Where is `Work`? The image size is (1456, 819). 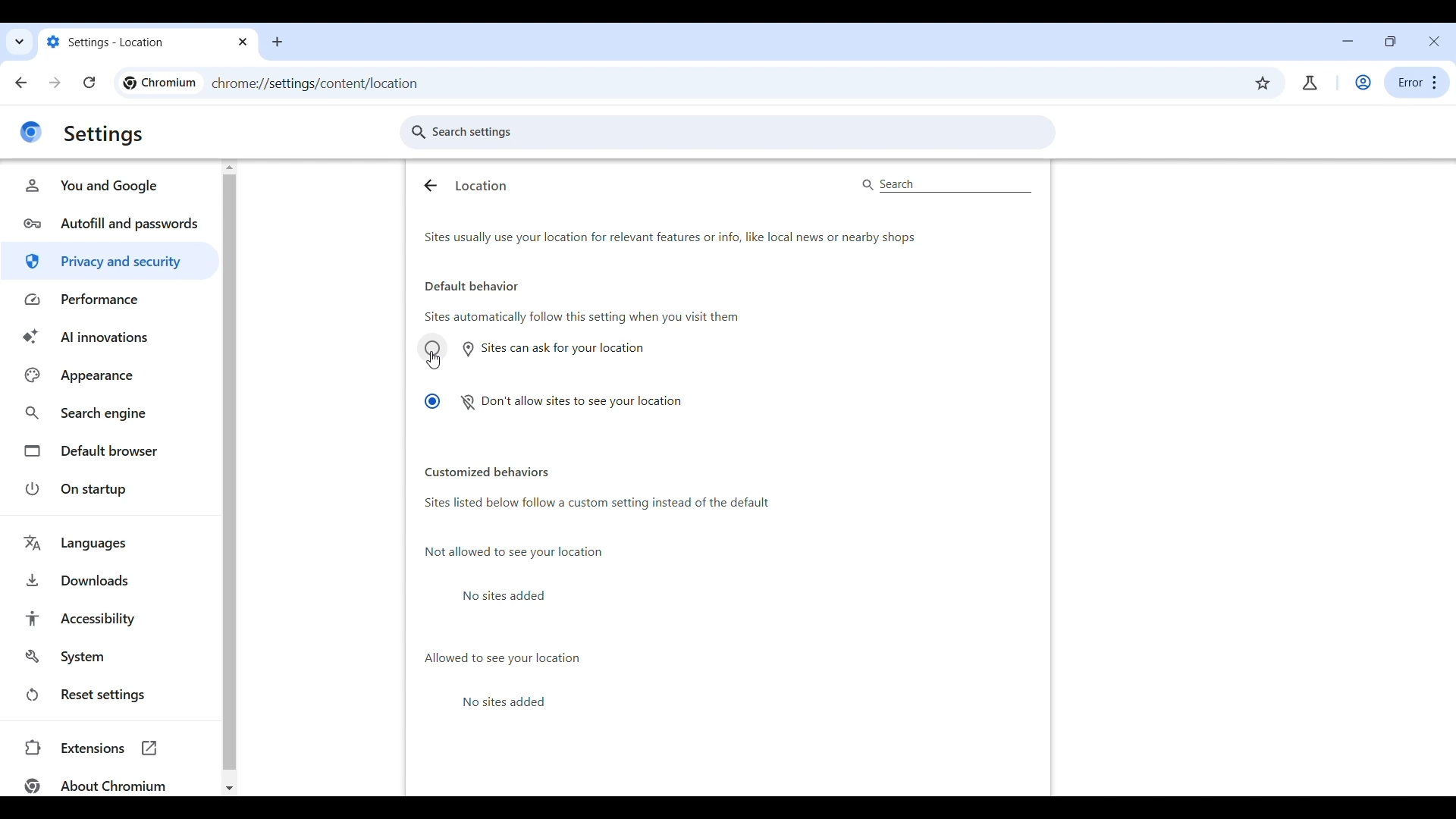
Work is located at coordinates (1363, 83).